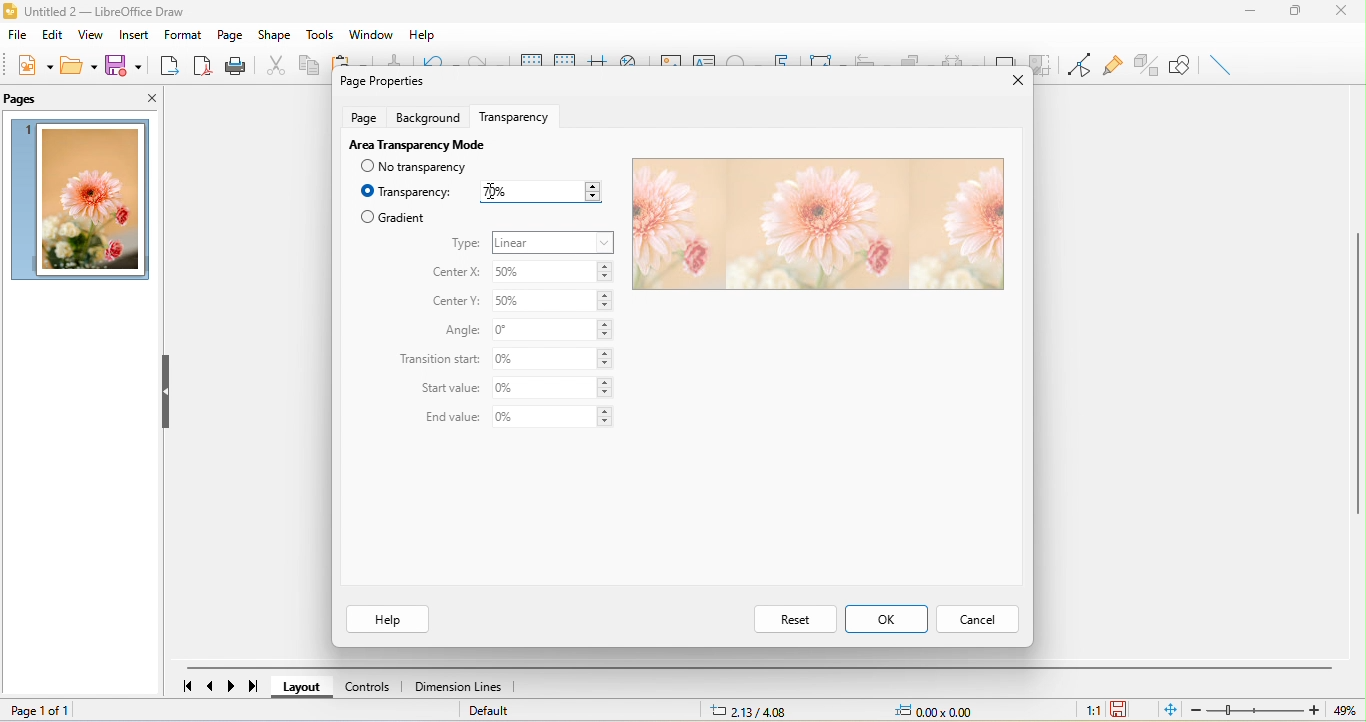  Describe the element at coordinates (122, 64) in the screenshot. I see `save` at that location.